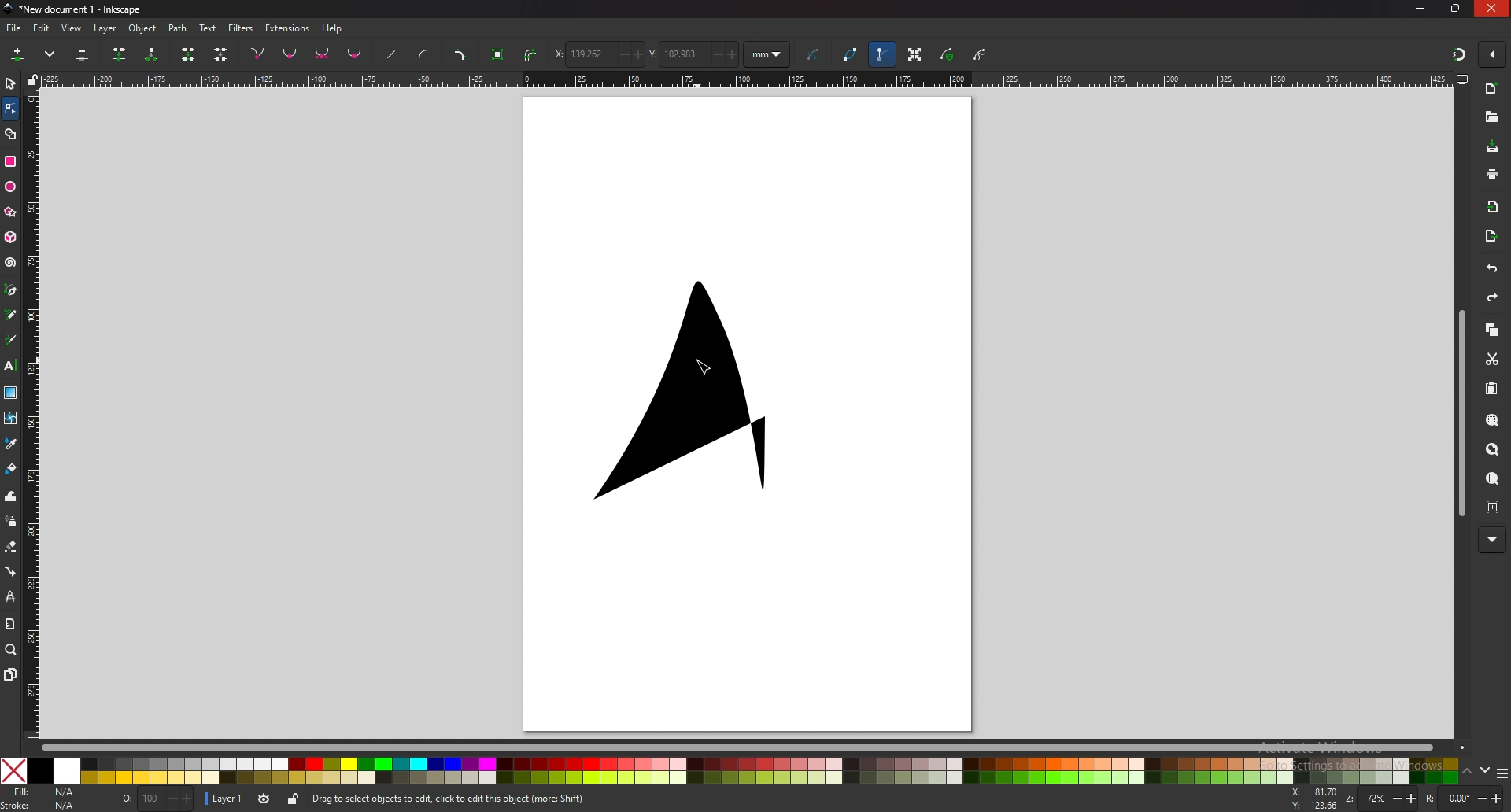 Image resolution: width=1511 pixels, height=812 pixels. I want to click on delete selected nodes, so click(83, 54).